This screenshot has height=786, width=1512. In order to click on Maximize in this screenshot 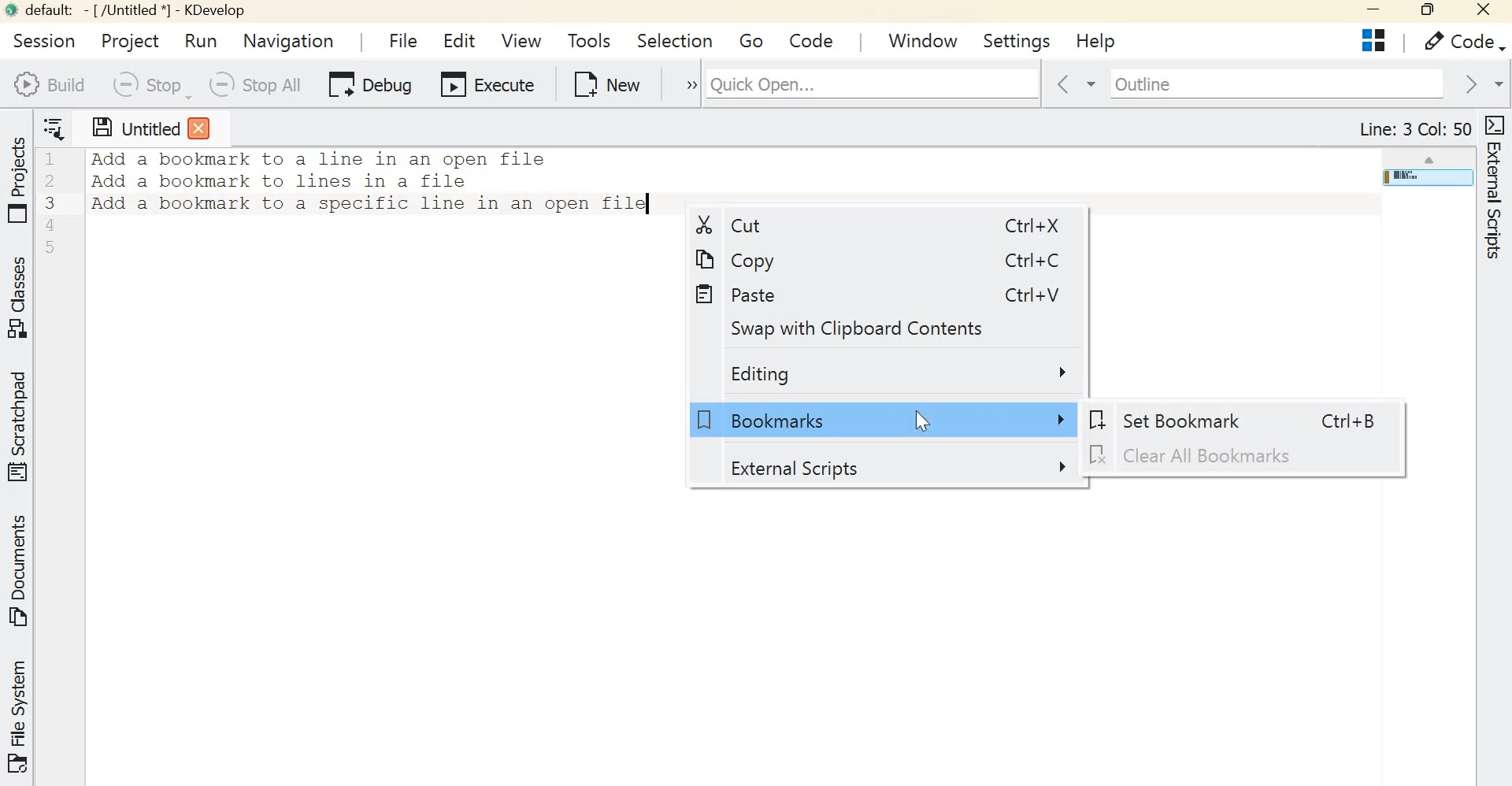, I will do `click(1431, 11)`.